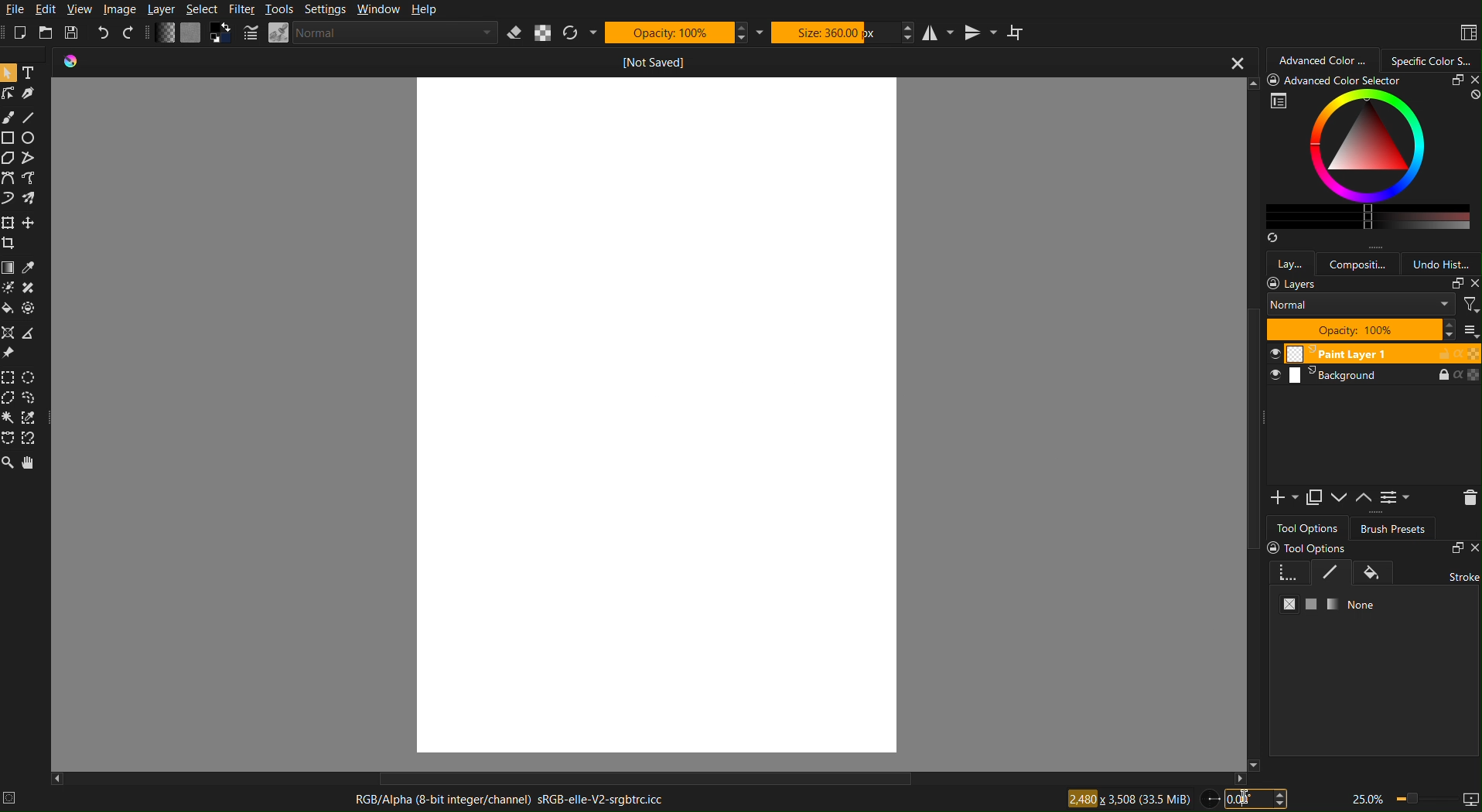  Describe the element at coordinates (368, 34) in the screenshot. I see `Brush Settings` at that location.